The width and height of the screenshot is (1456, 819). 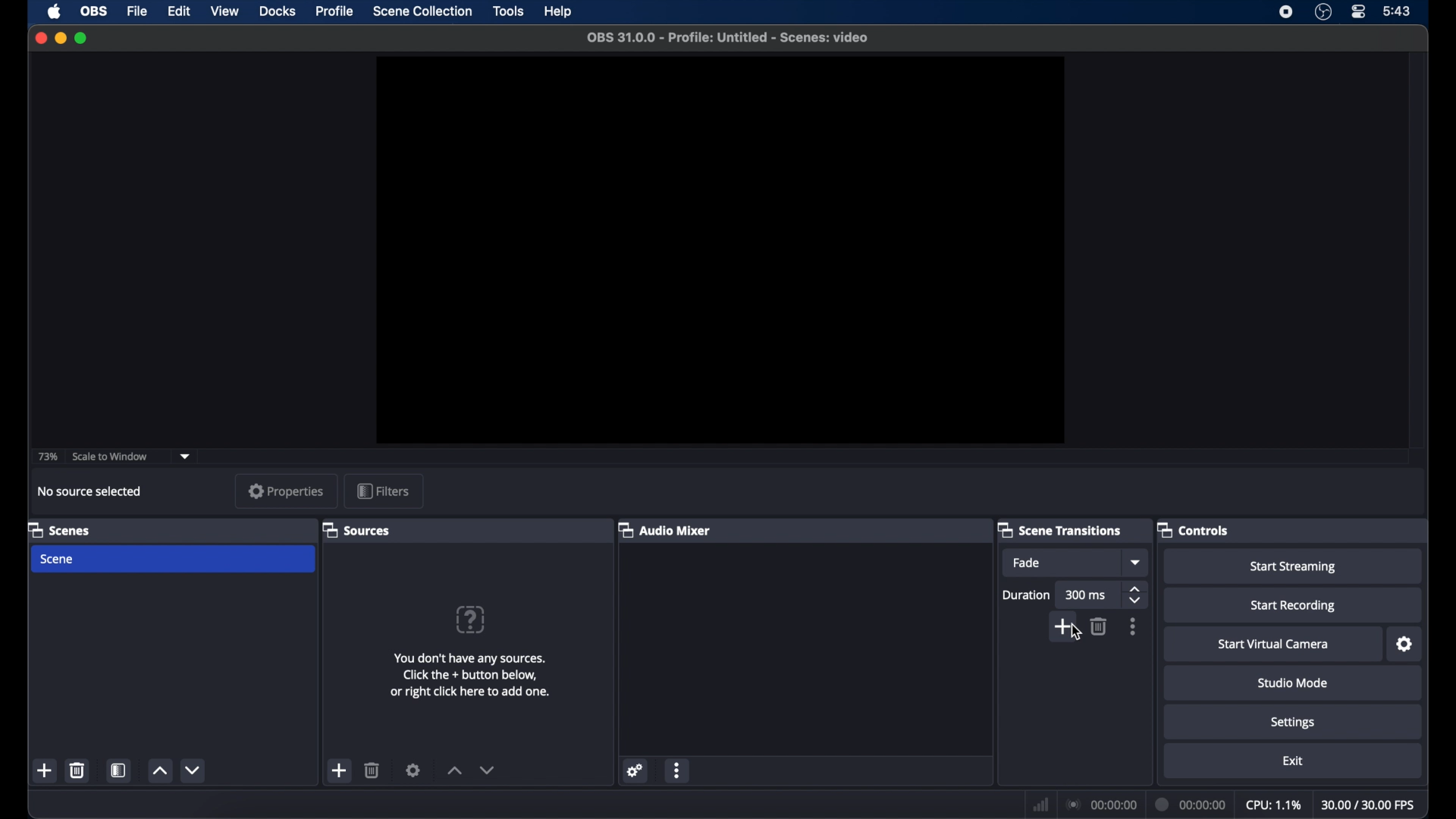 I want to click on connection, so click(x=1103, y=805).